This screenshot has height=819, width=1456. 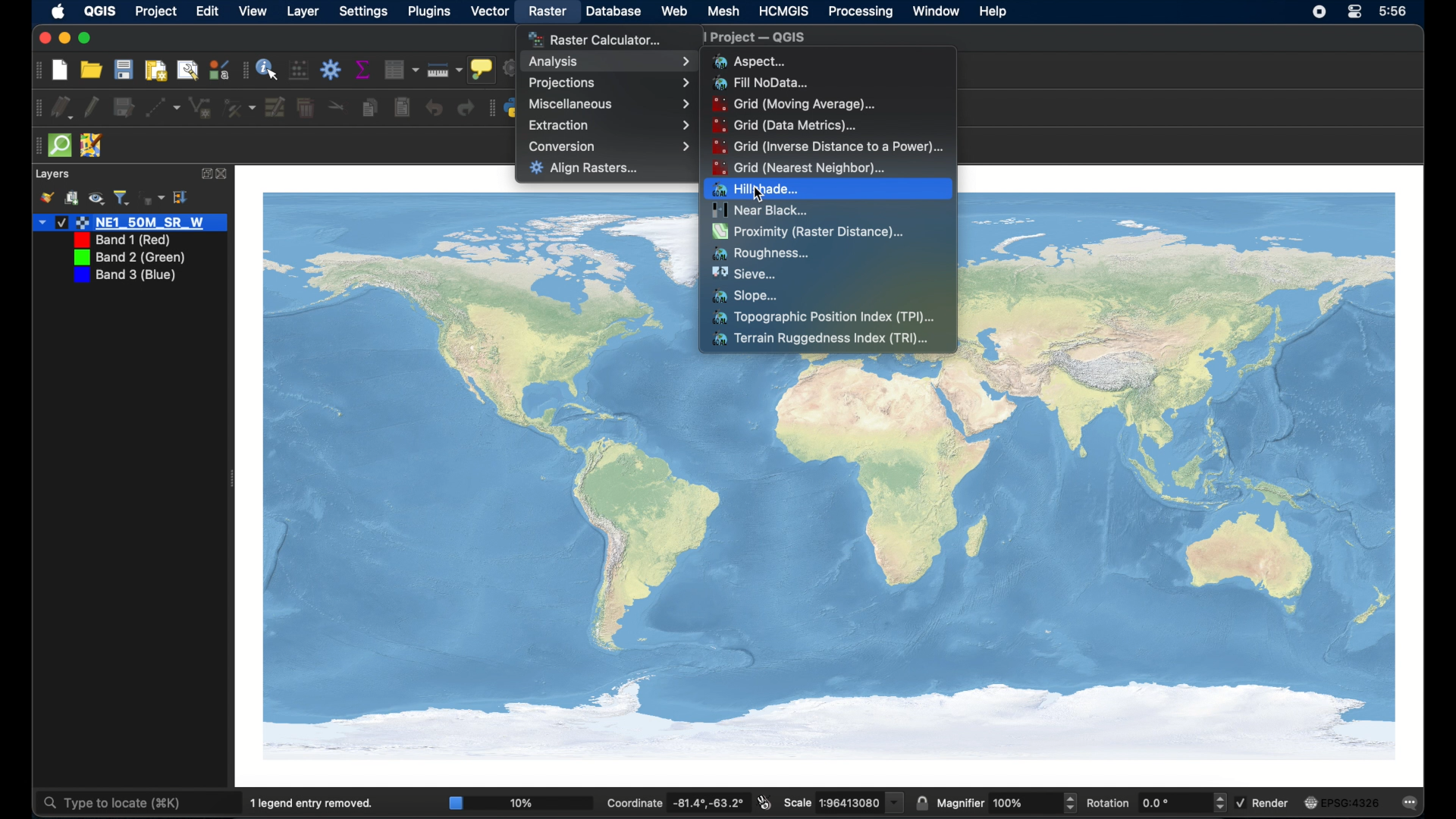 I want to click on magnifier, so click(x=1006, y=803).